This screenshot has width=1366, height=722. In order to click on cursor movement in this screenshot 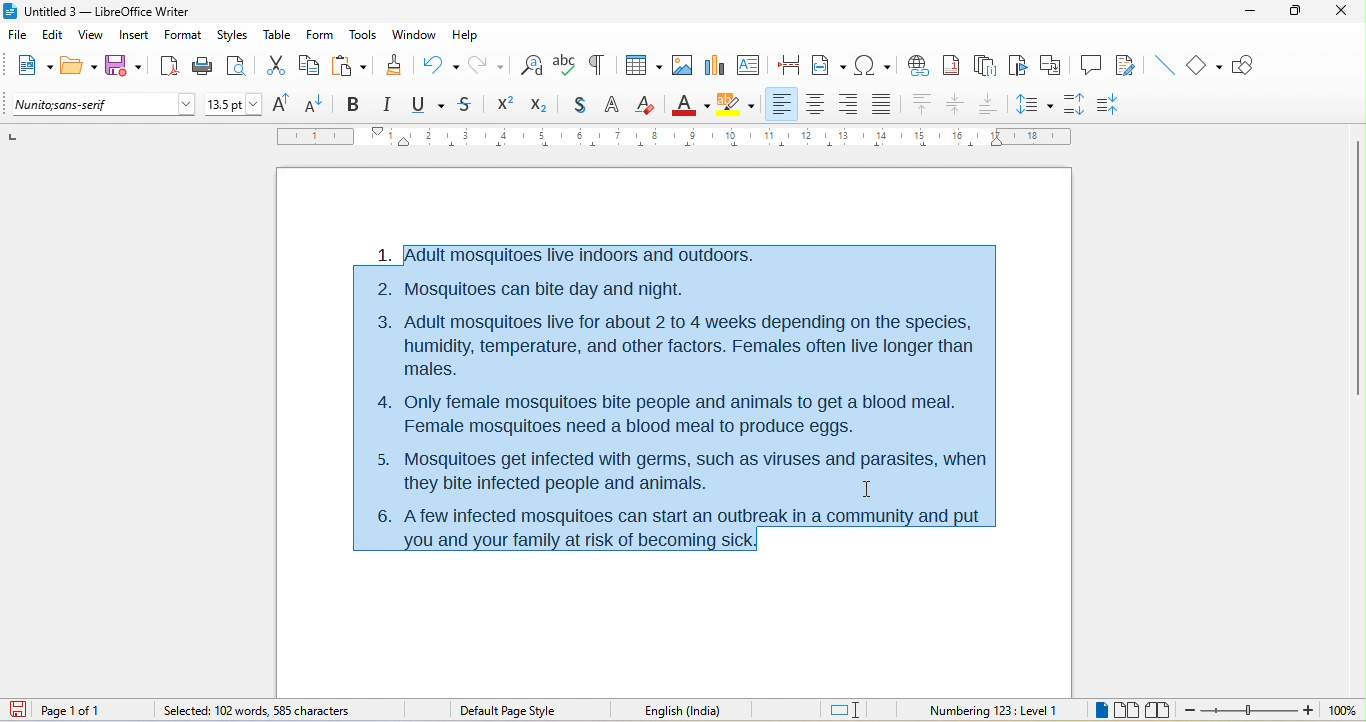, I will do `click(870, 487)`.